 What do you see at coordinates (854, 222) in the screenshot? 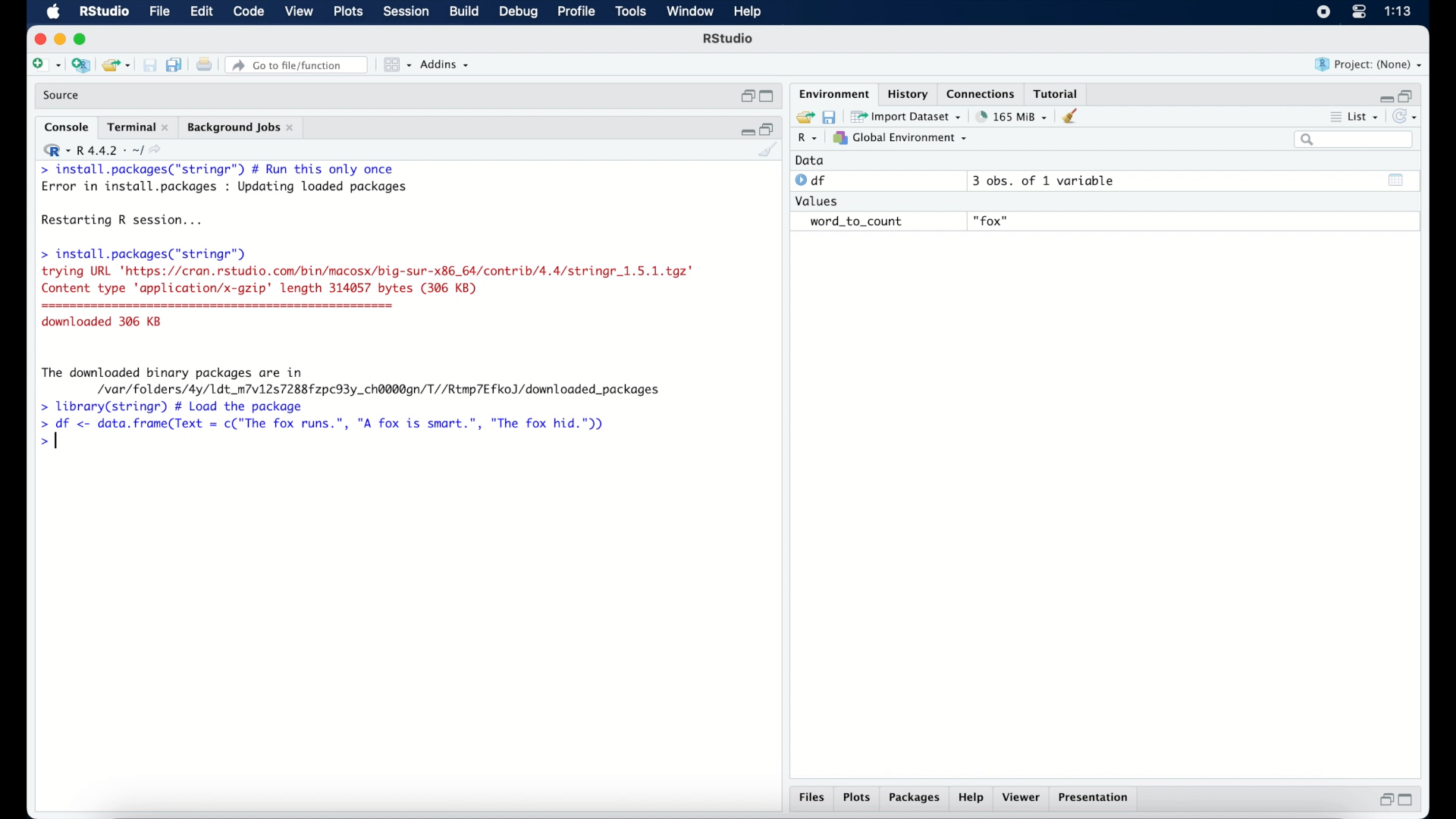
I see `word_to_count` at bounding box center [854, 222].